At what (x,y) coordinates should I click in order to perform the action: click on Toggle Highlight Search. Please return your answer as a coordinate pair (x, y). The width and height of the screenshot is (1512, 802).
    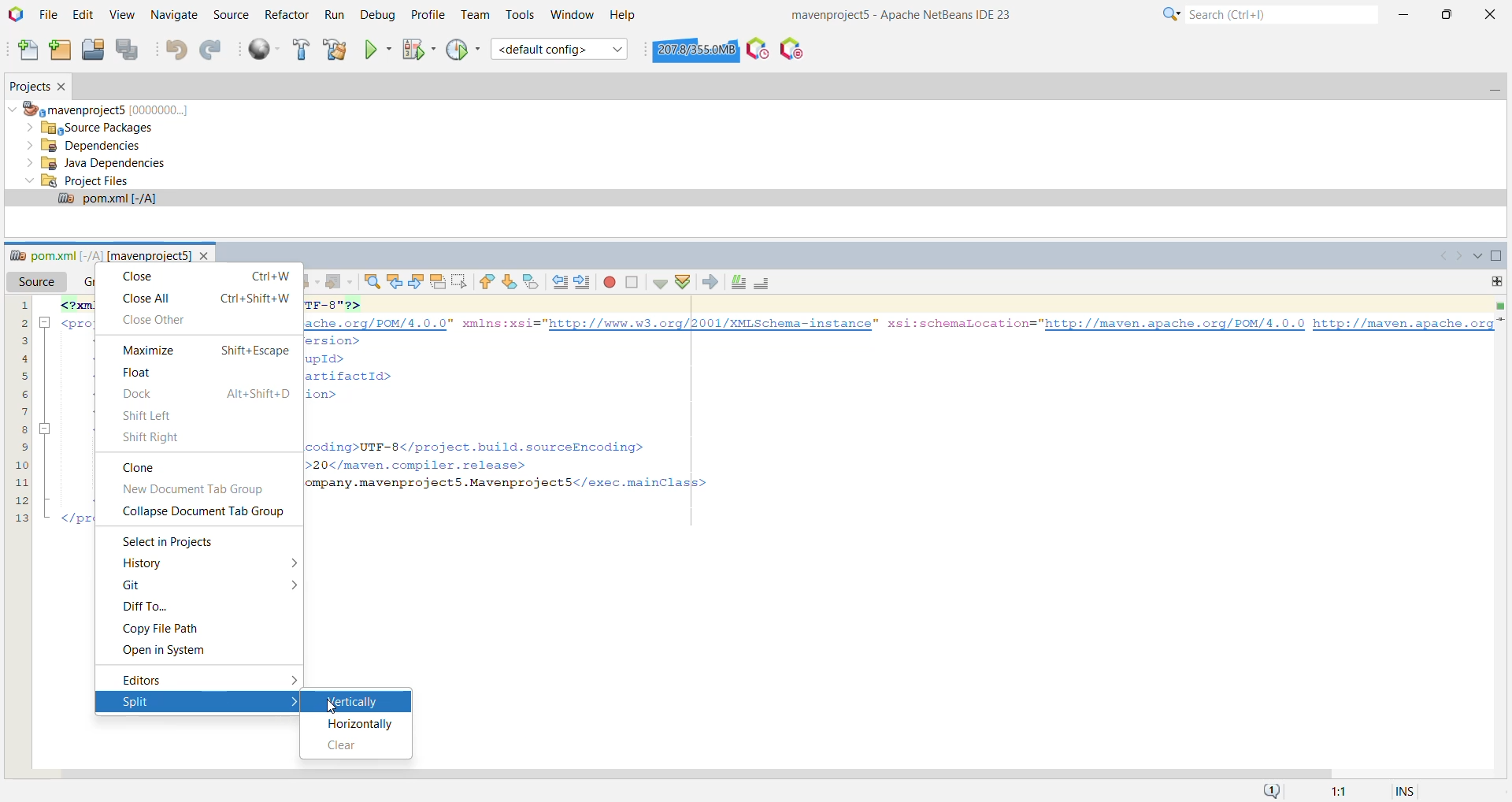
    Looking at the image, I should click on (438, 282).